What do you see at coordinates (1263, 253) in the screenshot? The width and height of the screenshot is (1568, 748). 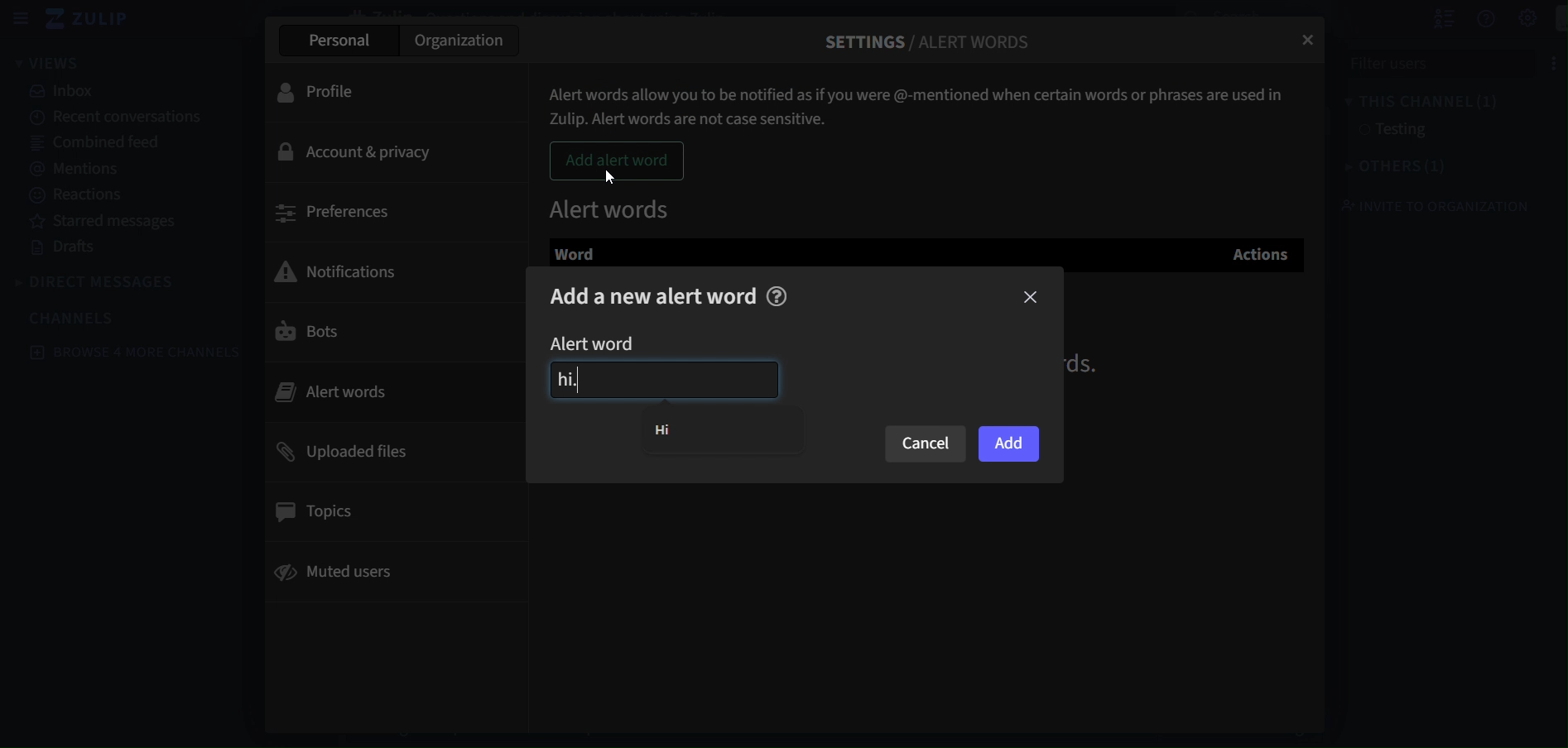 I see `Actions` at bounding box center [1263, 253].